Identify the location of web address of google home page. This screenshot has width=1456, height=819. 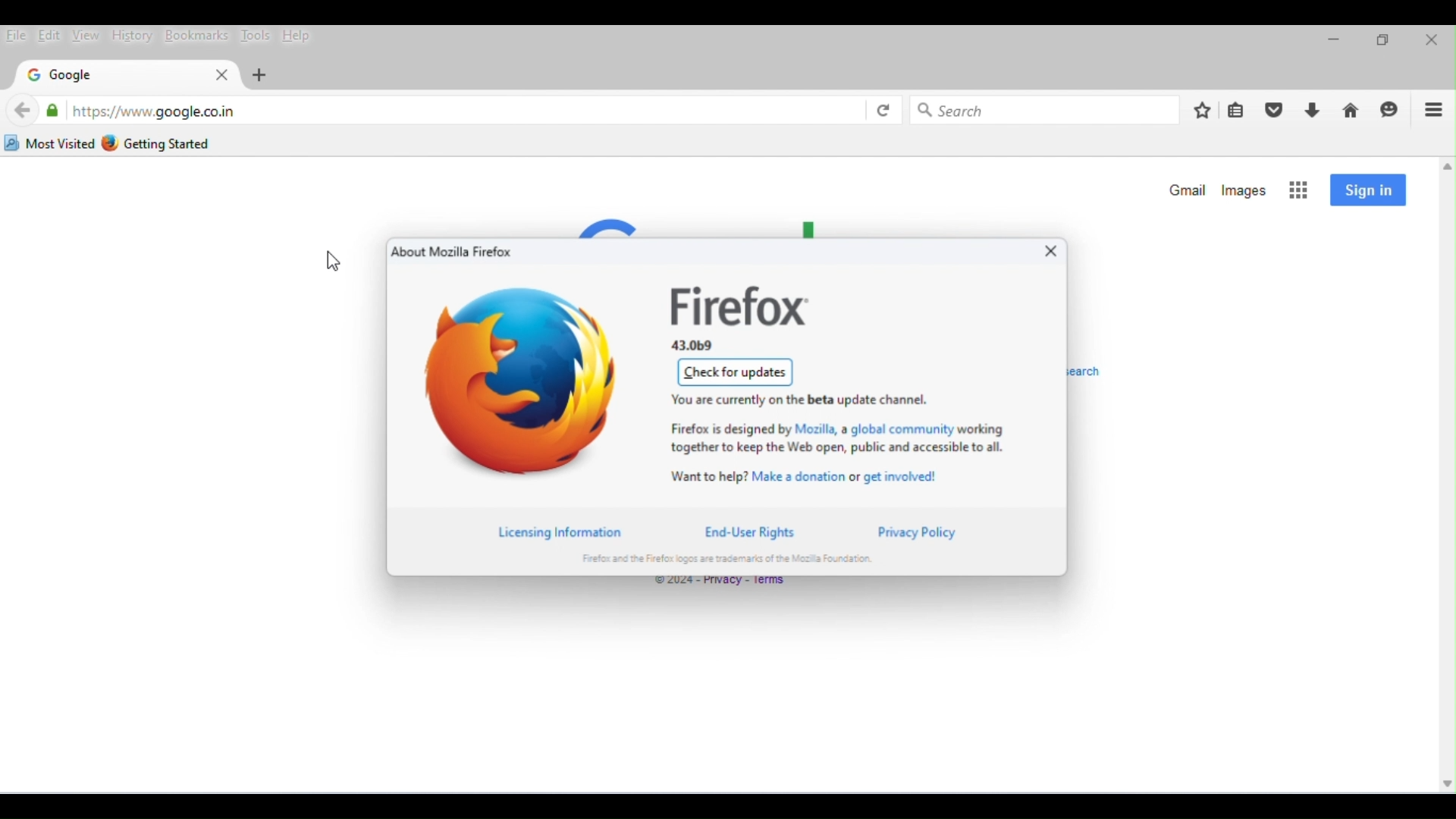
(153, 111).